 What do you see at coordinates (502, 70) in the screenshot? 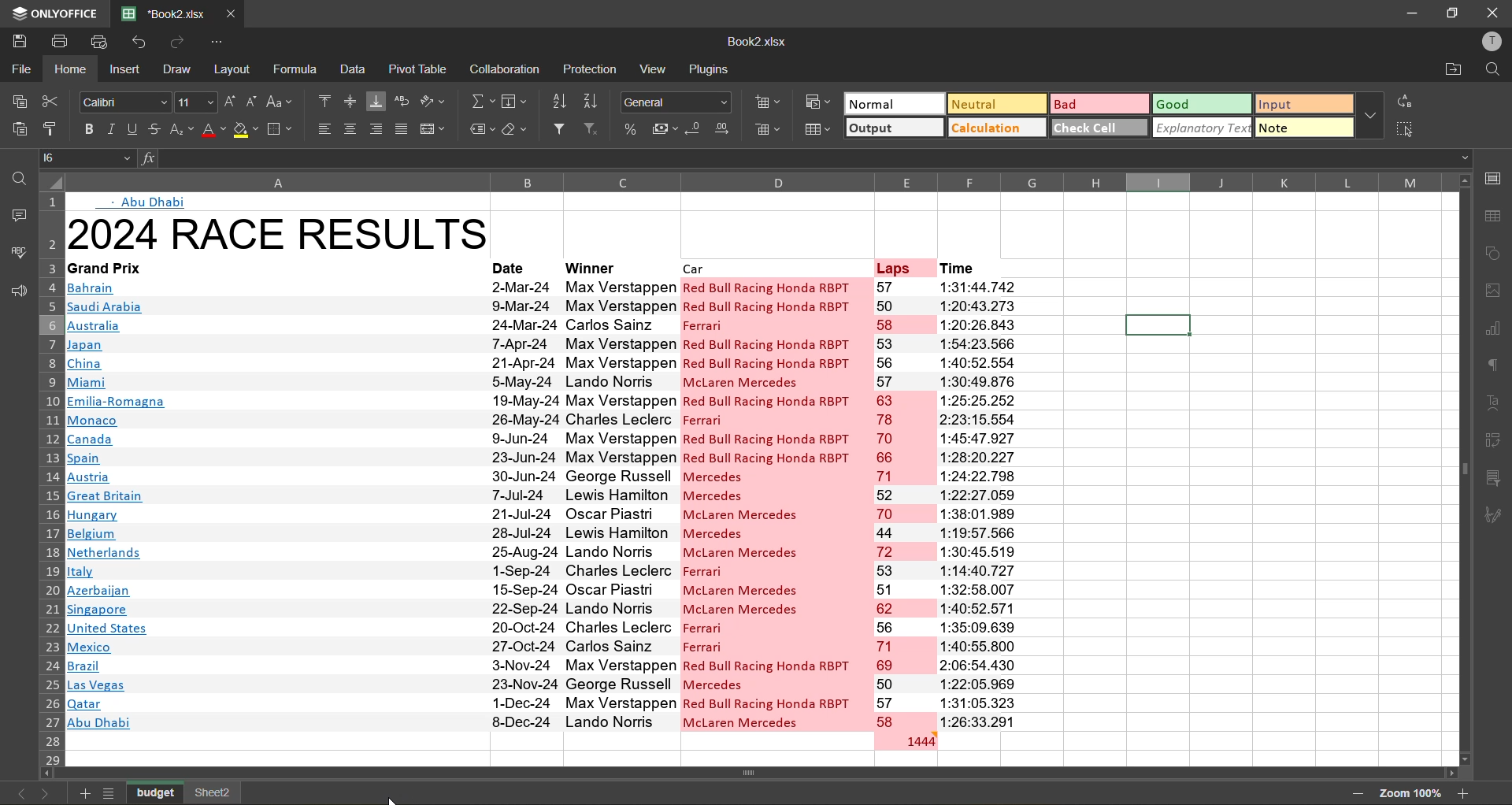
I see `collaboration` at bounding box center [502, 70].